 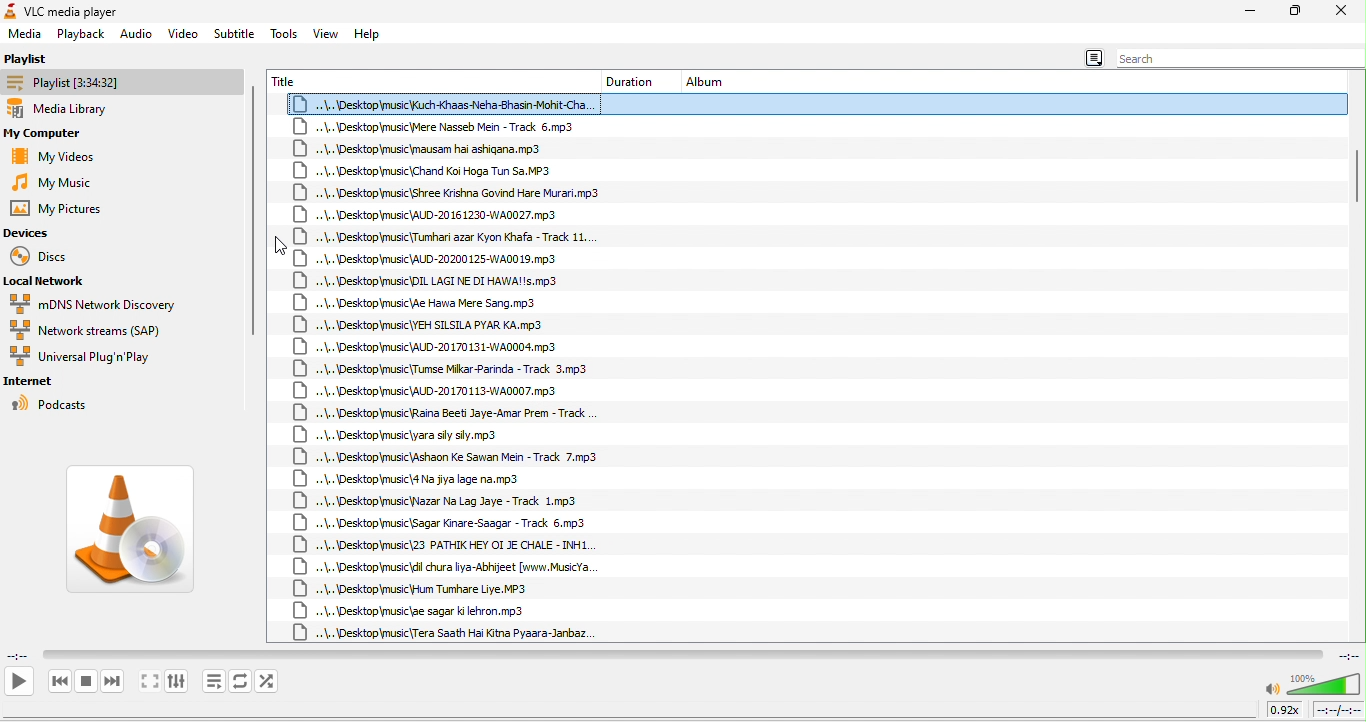 What do you see at coordinates (253, 209) in the screenshot?
I see `vertical scroll bar` at bounding box center [253, 209].